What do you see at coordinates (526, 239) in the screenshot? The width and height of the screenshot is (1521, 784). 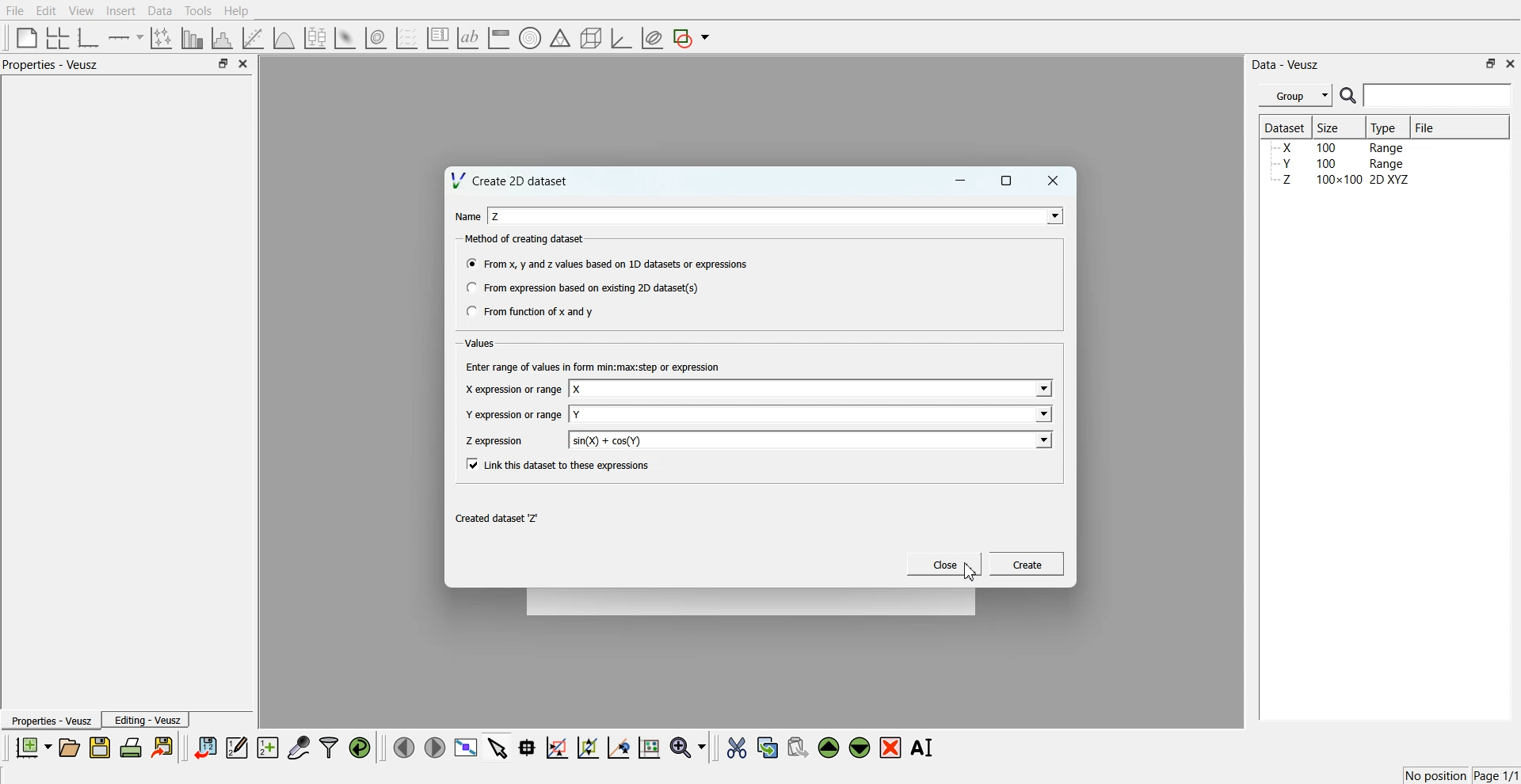 I see `Method of creating dataset` at bounding box center [526, 239].